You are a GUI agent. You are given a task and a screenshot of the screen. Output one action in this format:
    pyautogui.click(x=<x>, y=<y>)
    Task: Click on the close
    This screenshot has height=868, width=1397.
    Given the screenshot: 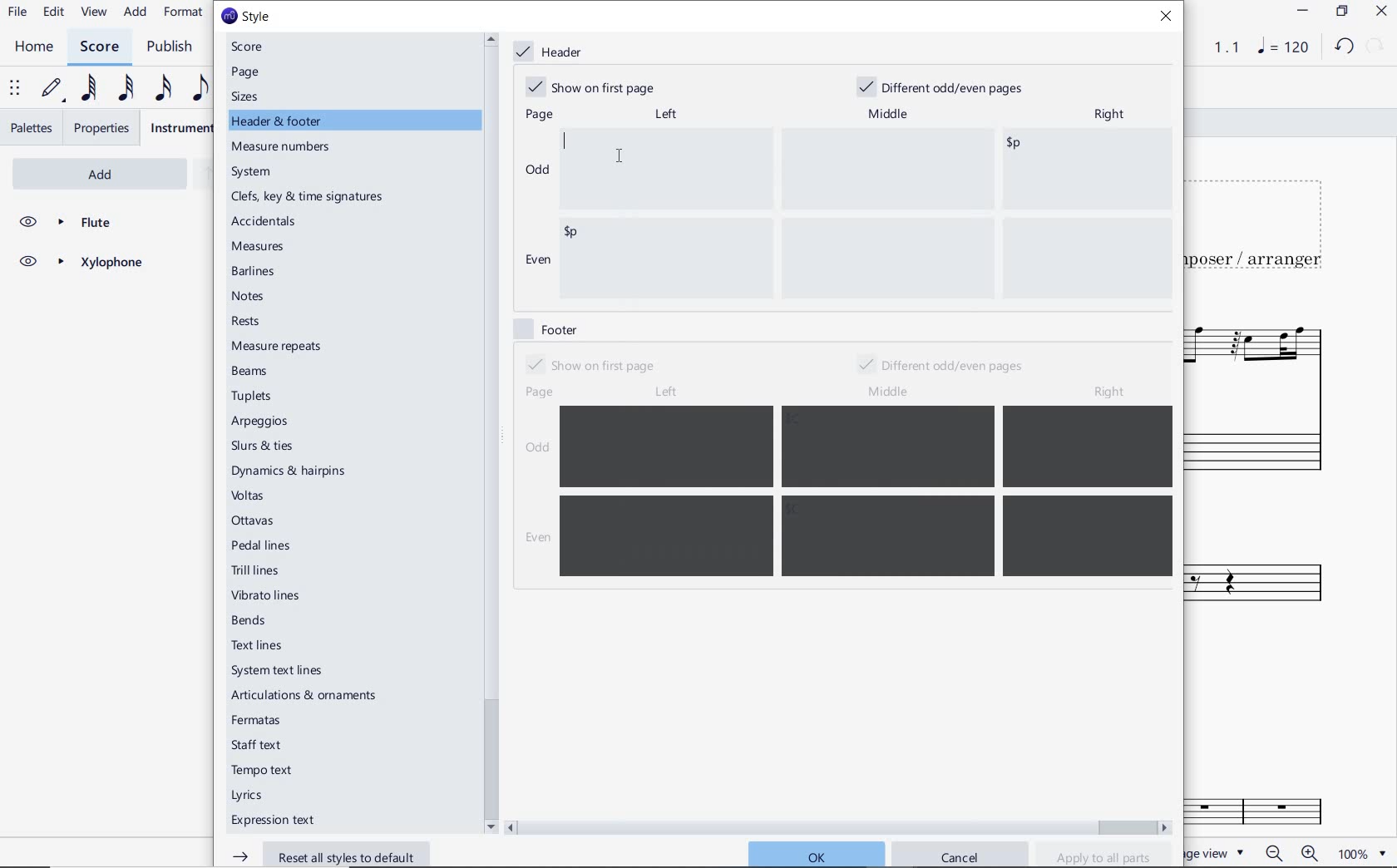 What is the action you would take?
    pyautogui.click(x=1170, y=18)
    